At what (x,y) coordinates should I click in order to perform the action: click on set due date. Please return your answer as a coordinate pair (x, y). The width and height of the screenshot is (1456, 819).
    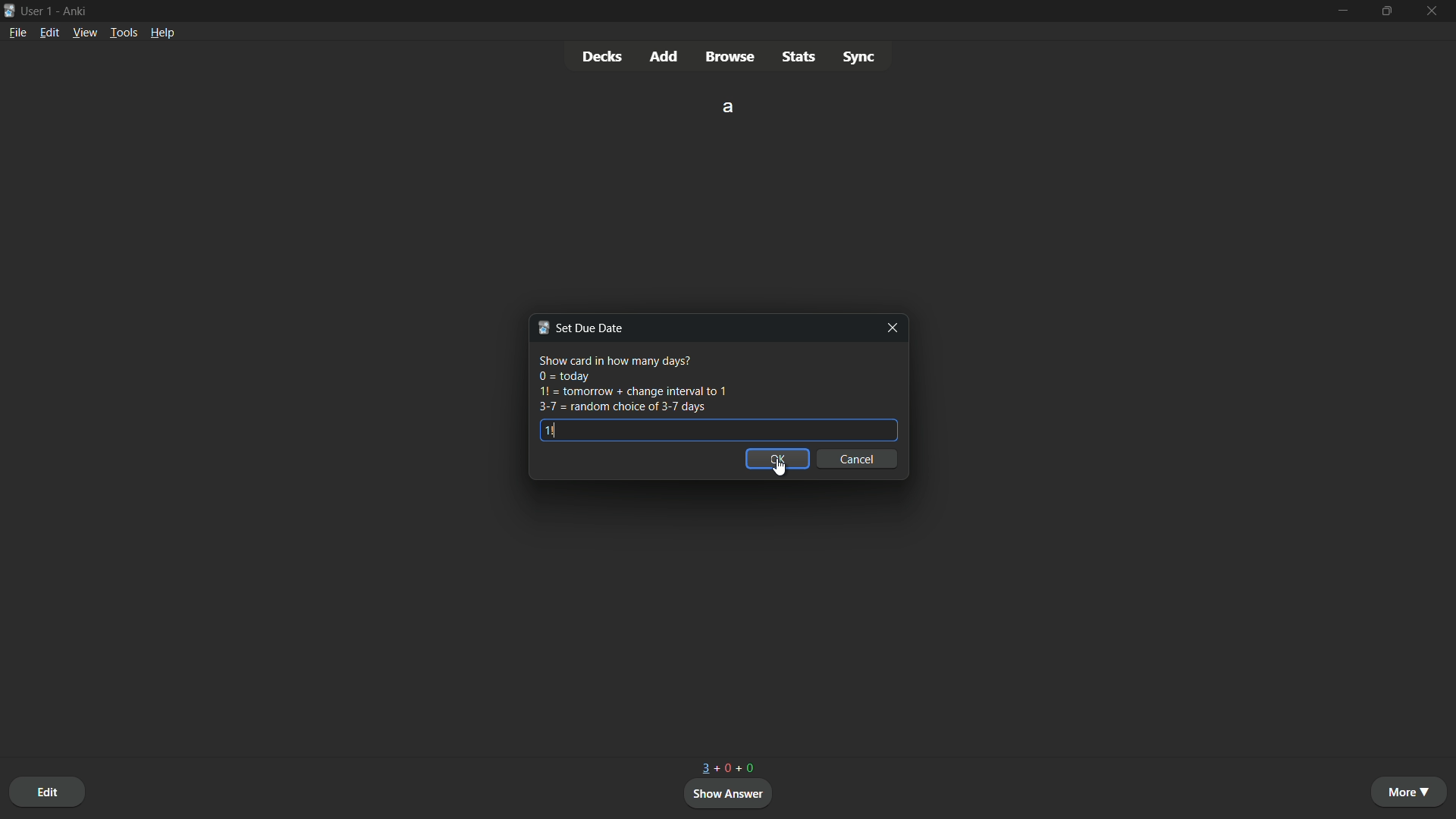
    Looking at the image, I should click on (579, 328).